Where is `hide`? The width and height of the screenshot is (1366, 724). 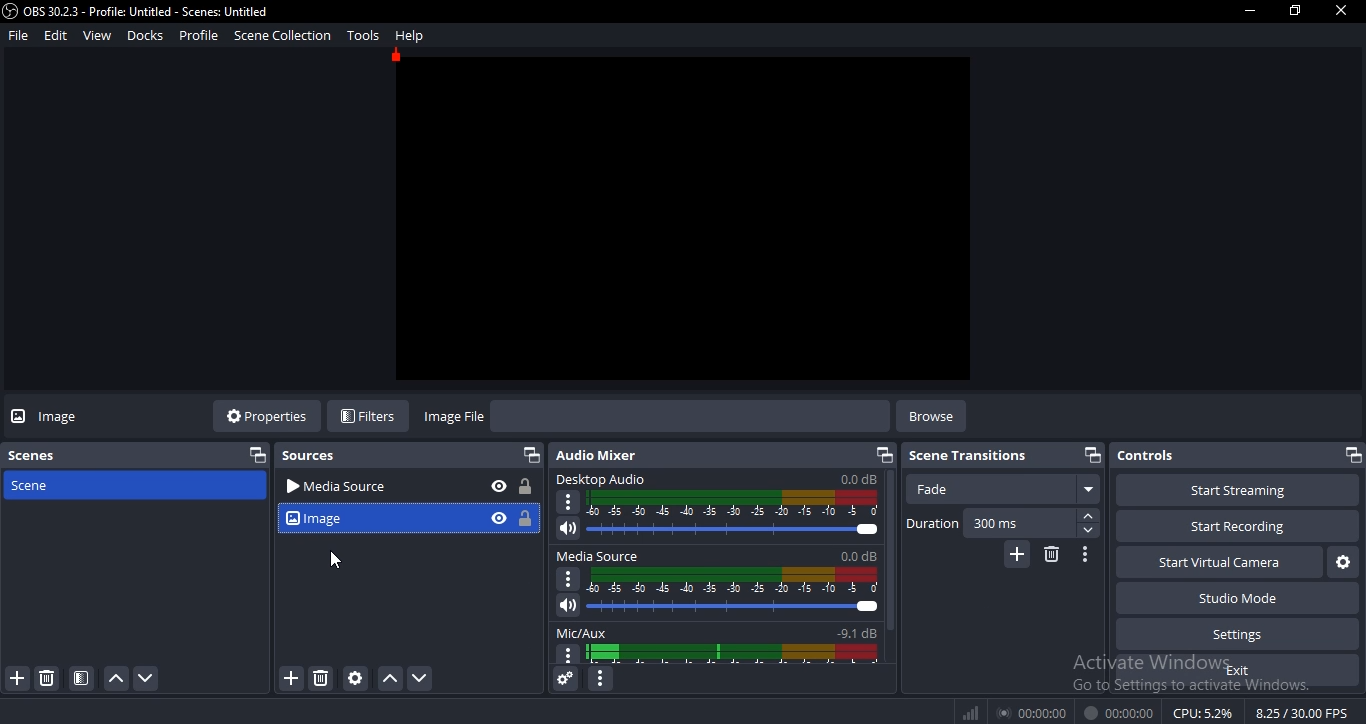
hide is located at coordinates (497, 487).